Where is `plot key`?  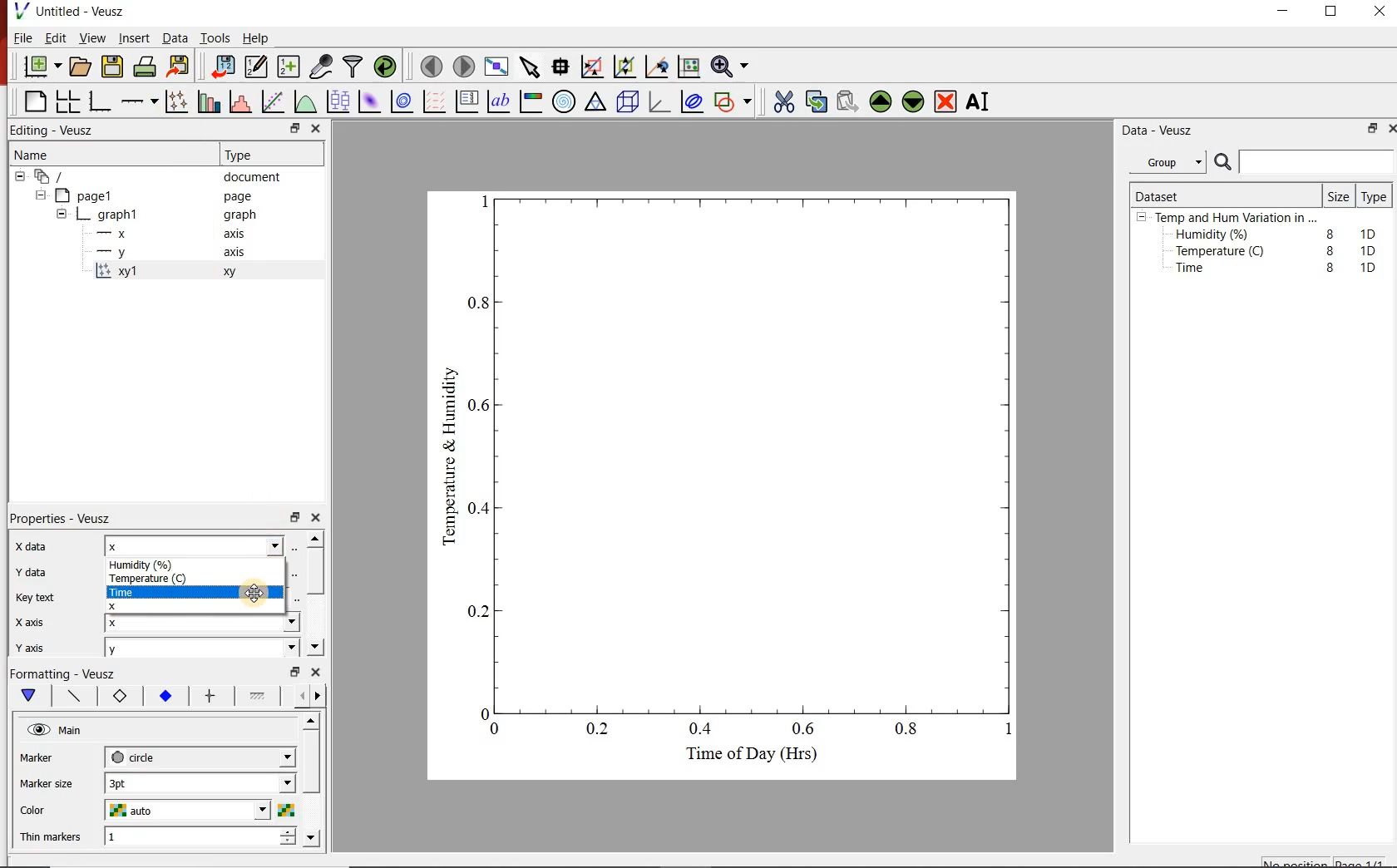 plot key is located at coordinates (470, 101).